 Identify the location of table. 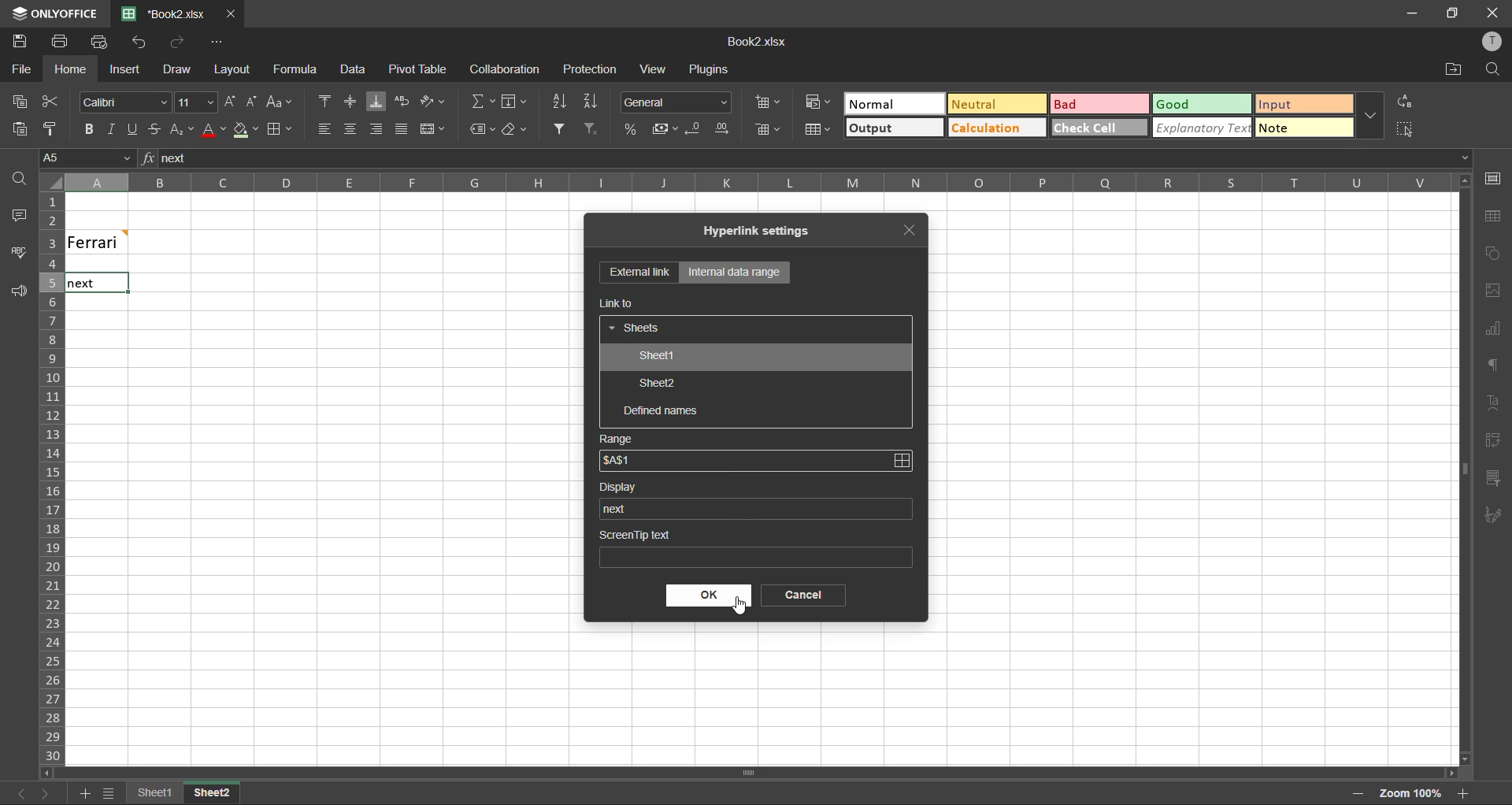
(1492, 216).